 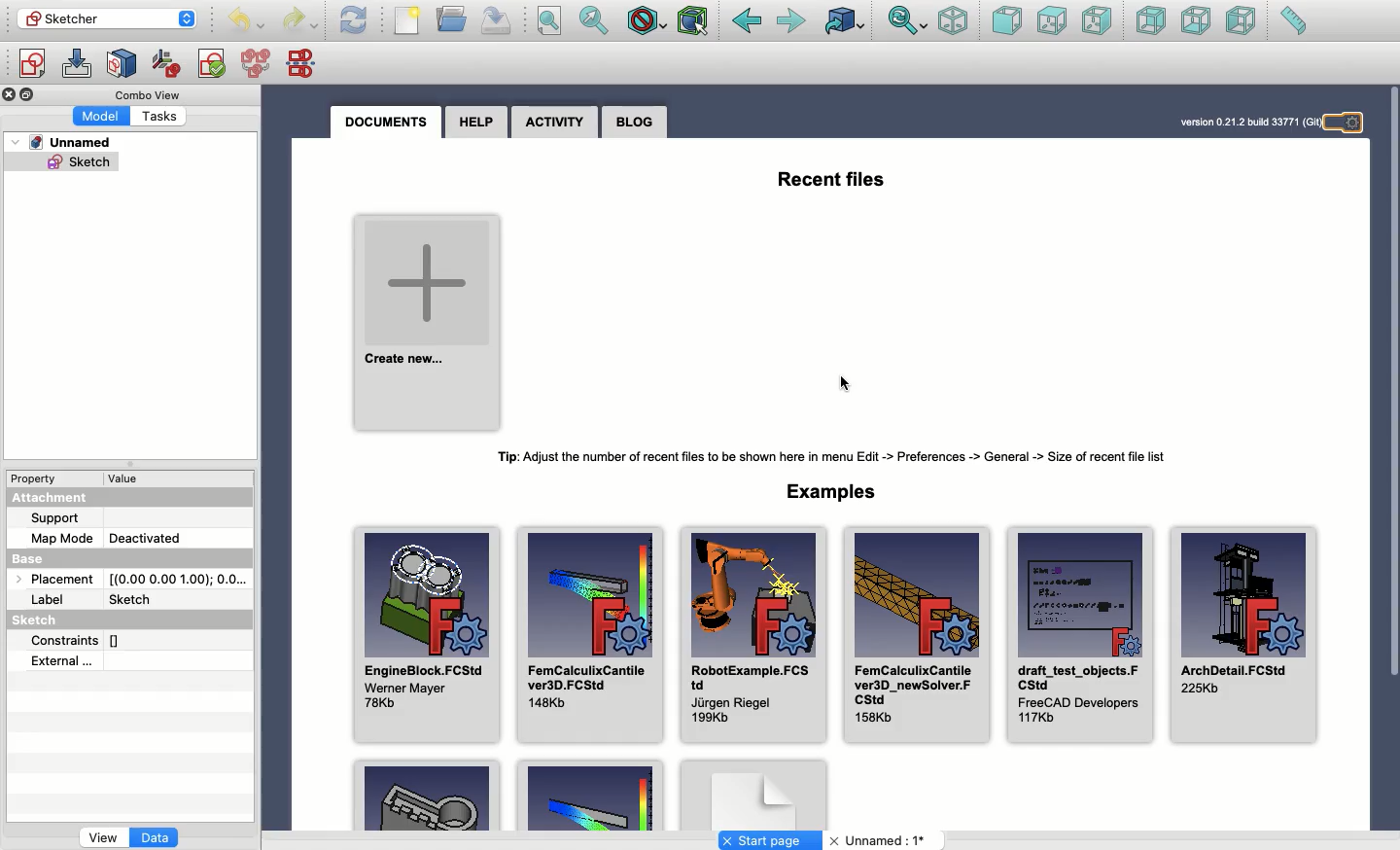 I want to click on Sketch, so click(x=64, y=164).